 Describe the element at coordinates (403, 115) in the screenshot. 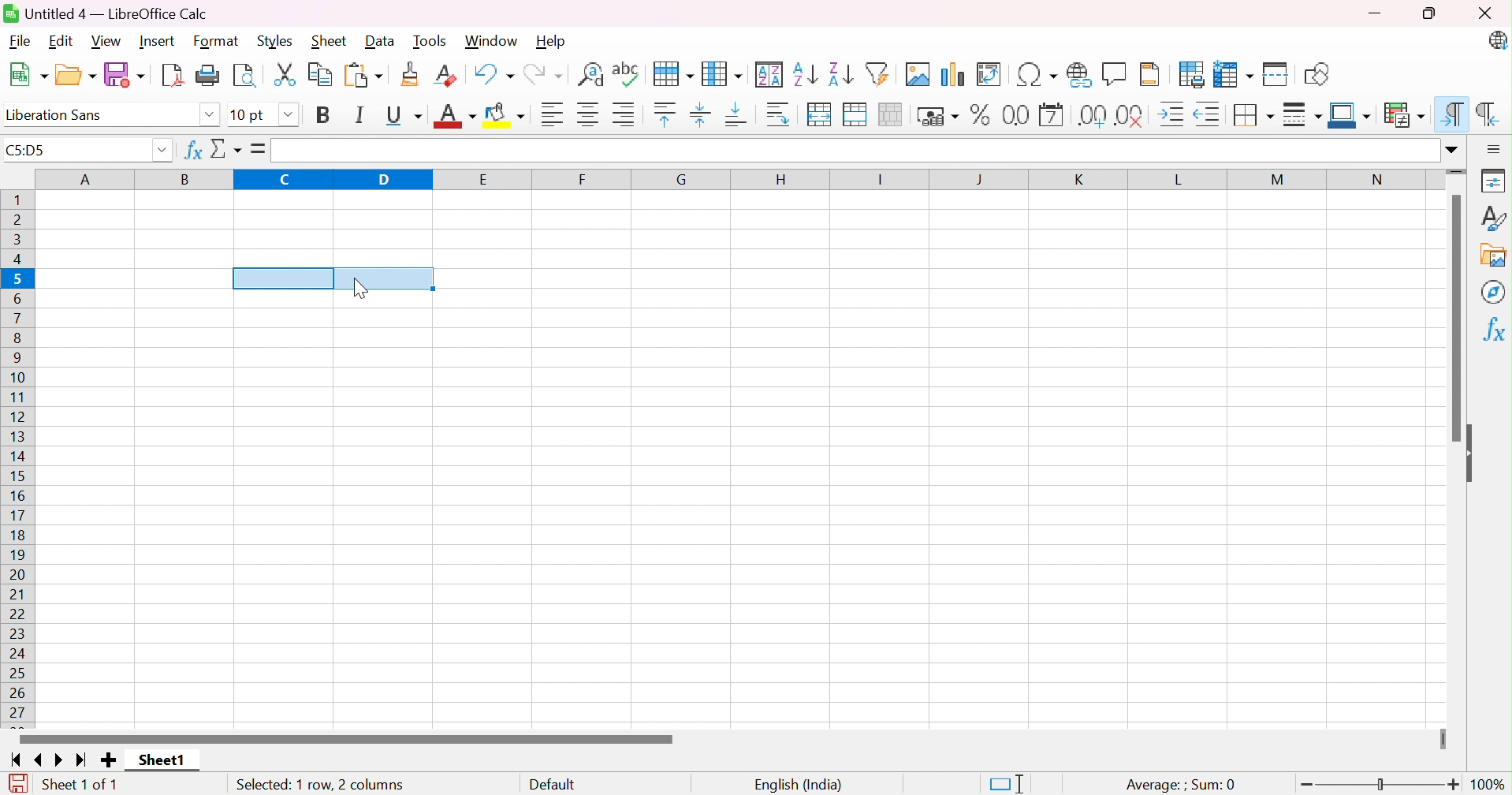

I see `Underline` at that location.